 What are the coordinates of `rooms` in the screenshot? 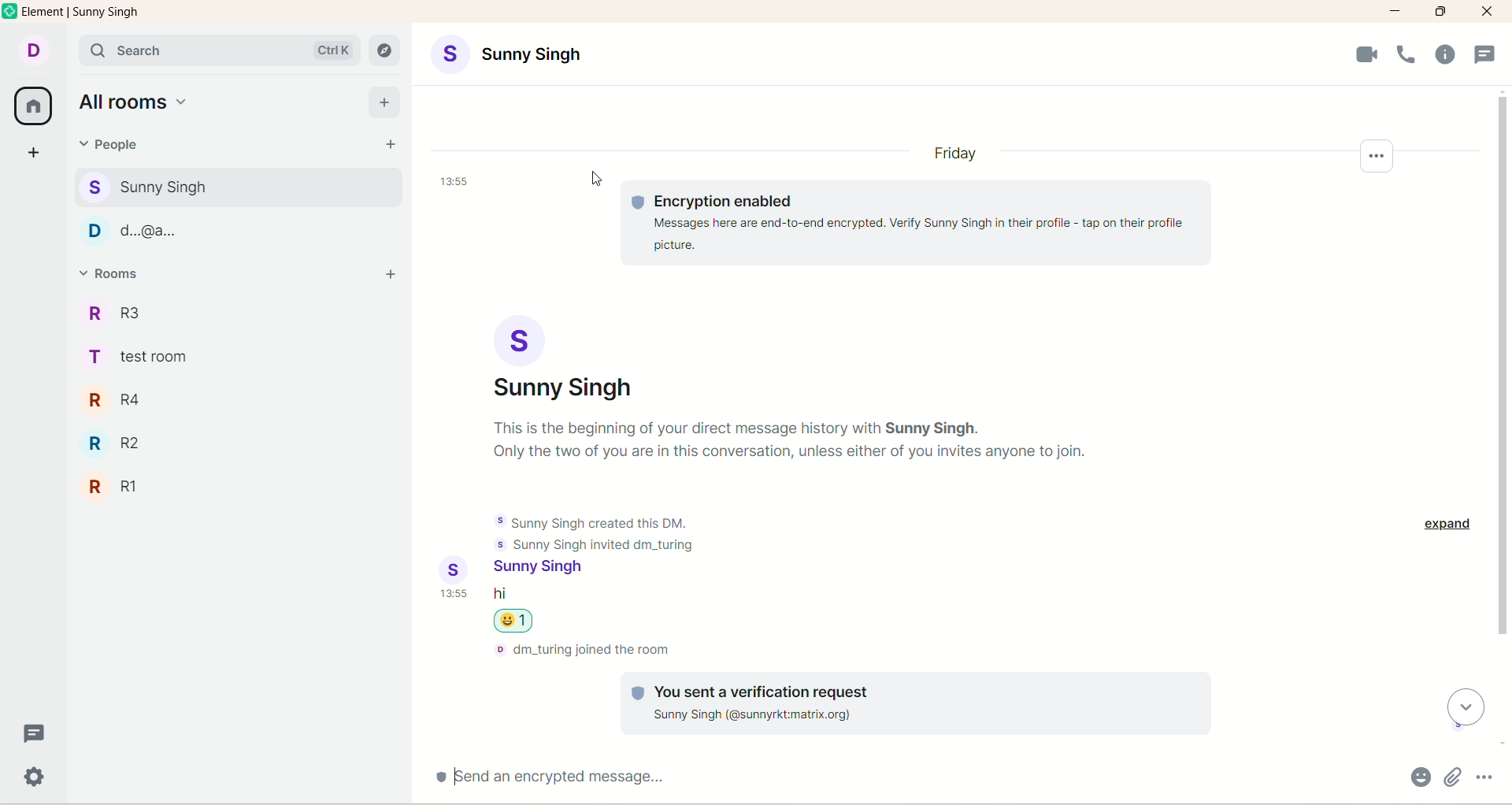 It's located at (114, 273).